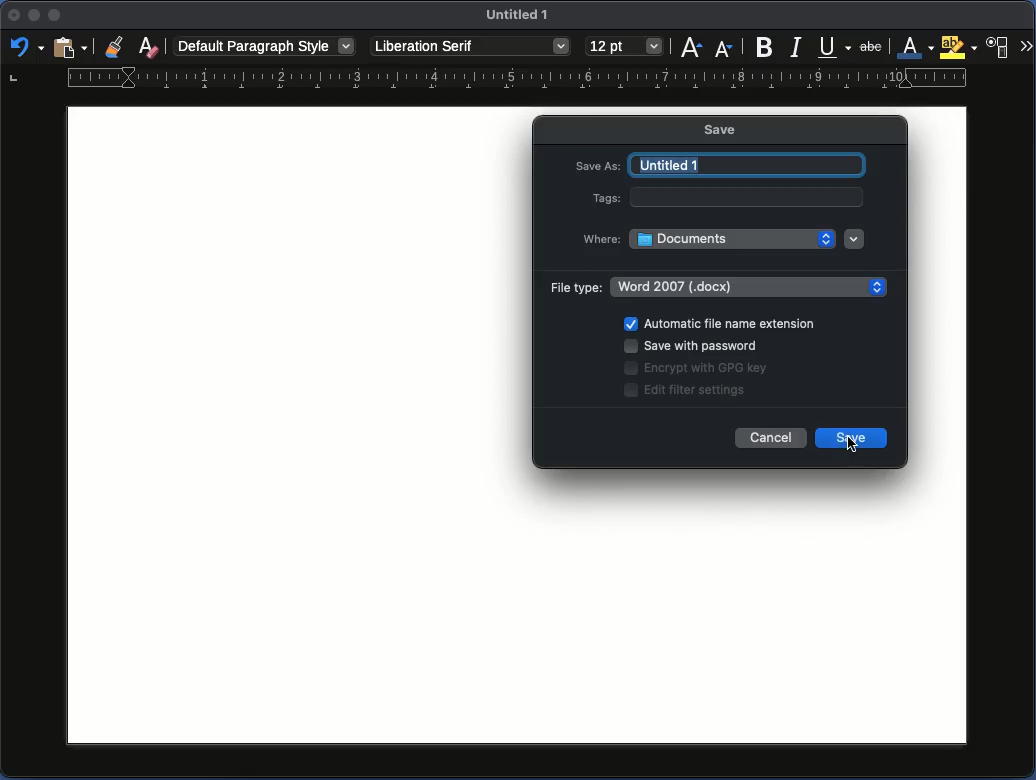 The height and width of the screenshot is (780, 1036). Describe the element at coordinates (746, 197) in the screenshot. I see `Tags field` at that location.